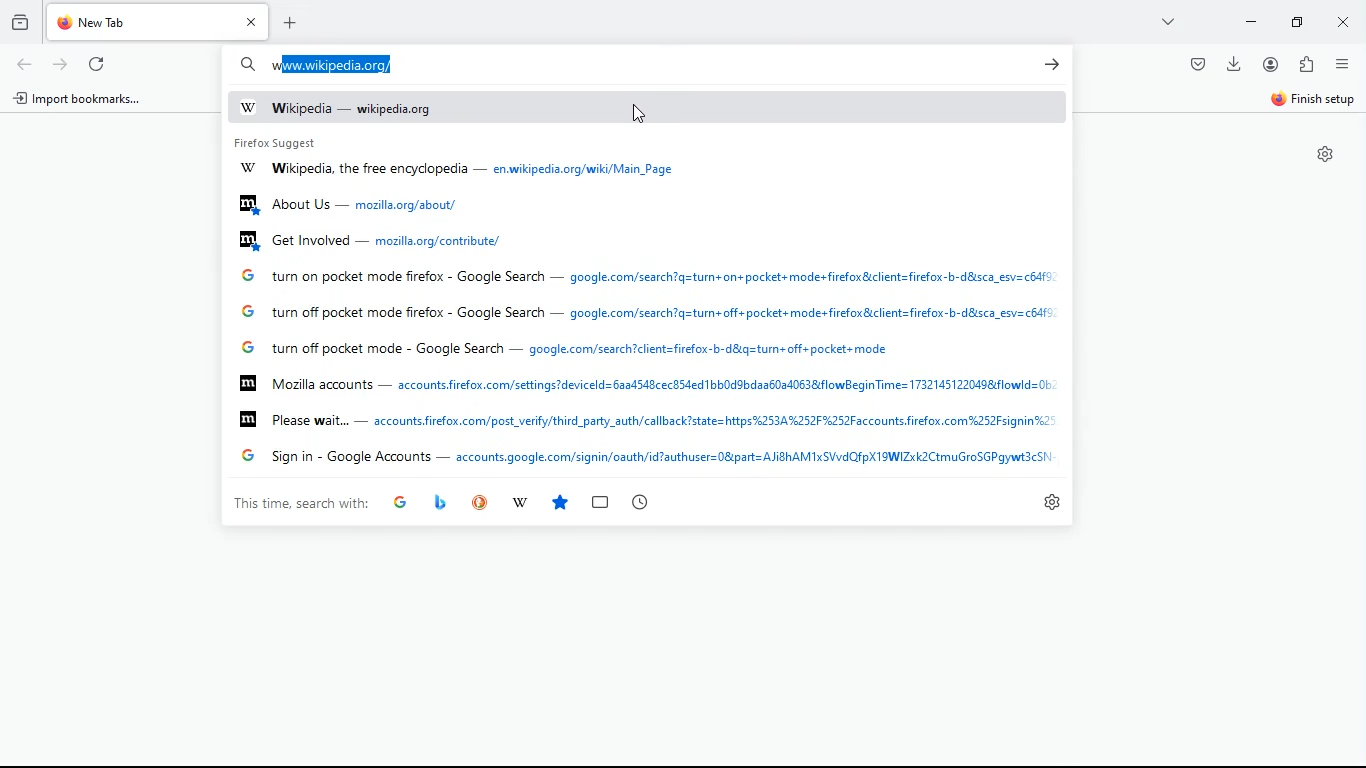 This screenshot has height=768, width=1366. What do you see at coordinates (299, 504) in the screenshot?
I see `this time search with` at bounding box center [299, 504].